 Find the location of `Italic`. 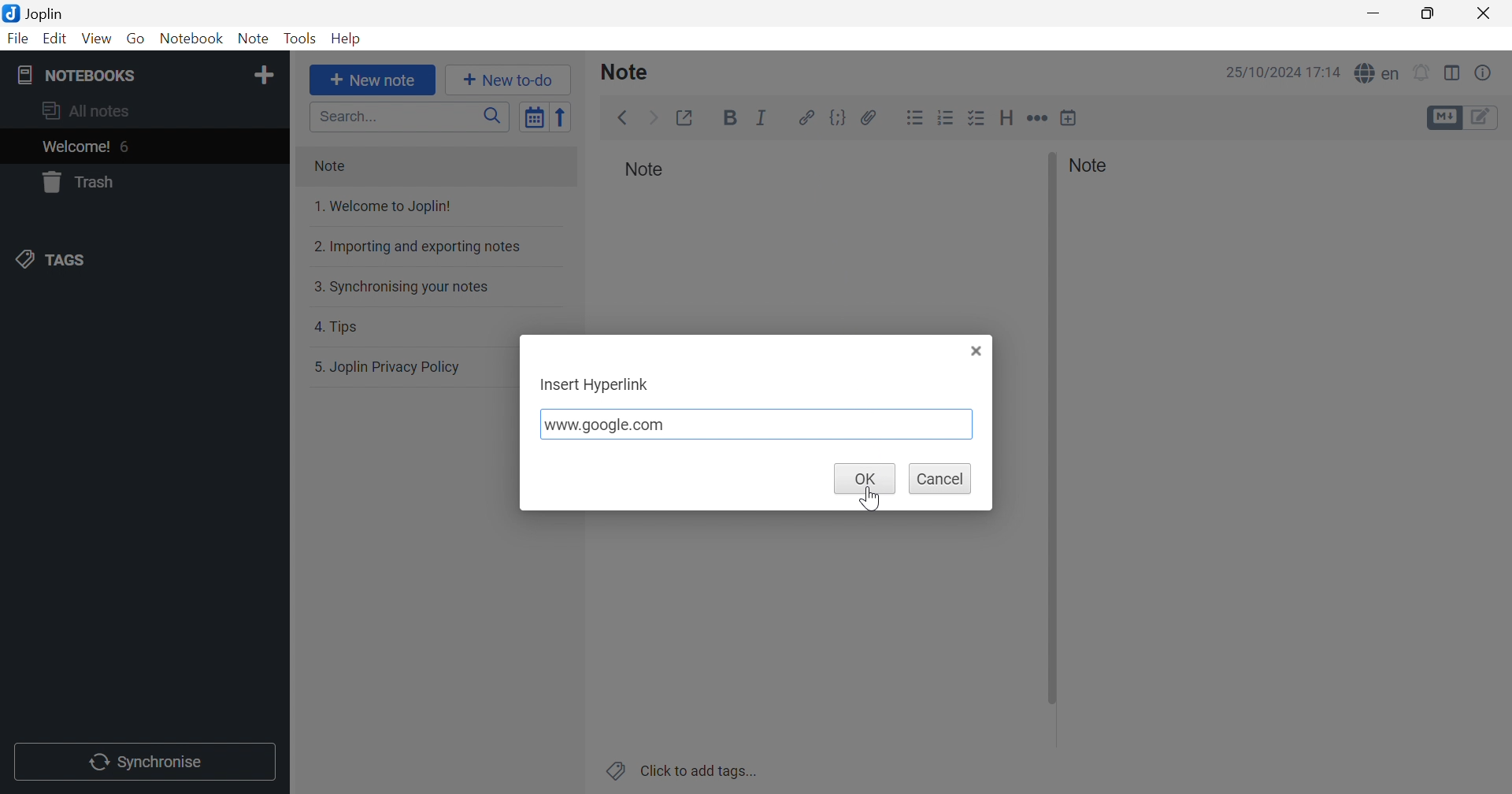

Italic is located at coordinates (762, 116).